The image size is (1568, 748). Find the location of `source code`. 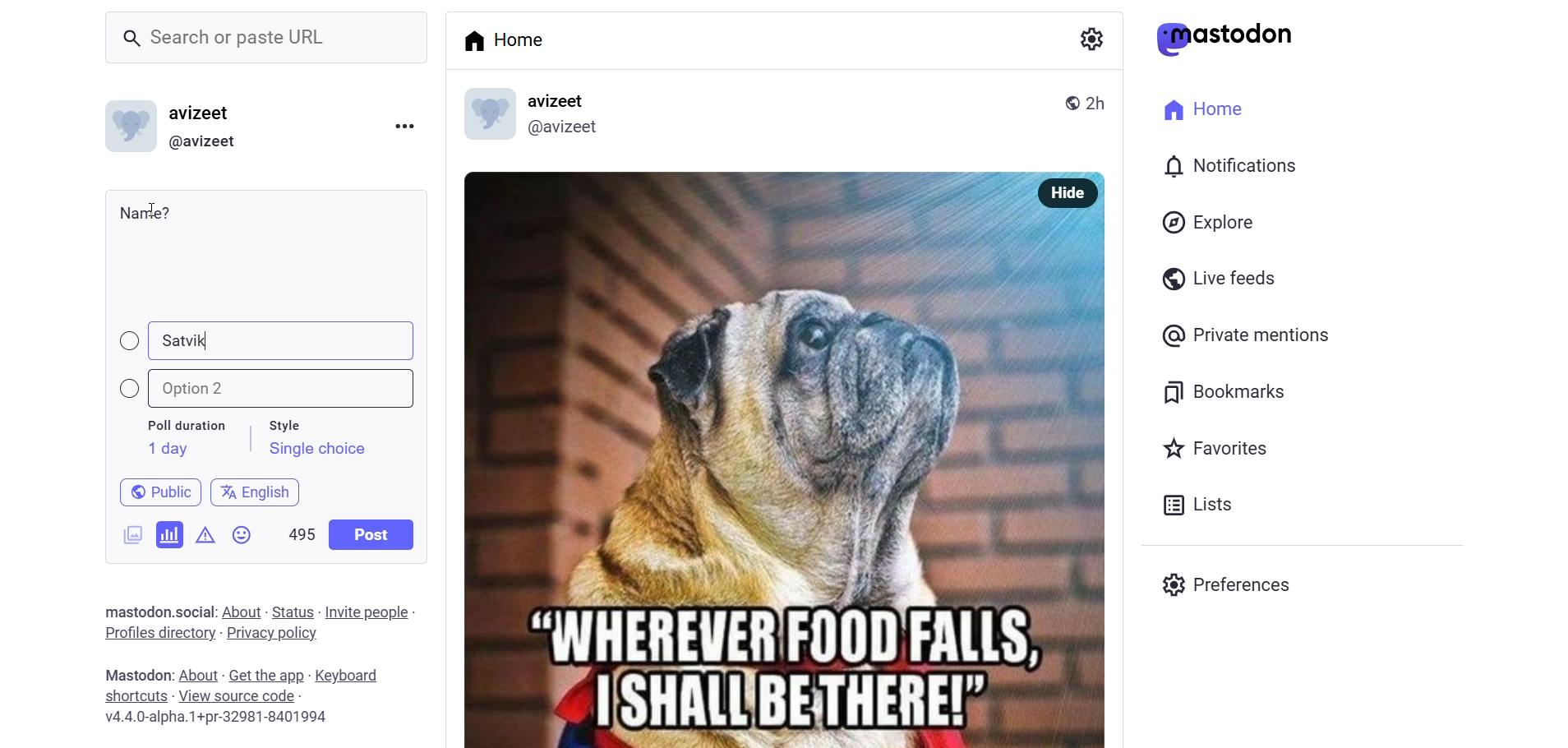

source code is located at coordinates (239, 696).